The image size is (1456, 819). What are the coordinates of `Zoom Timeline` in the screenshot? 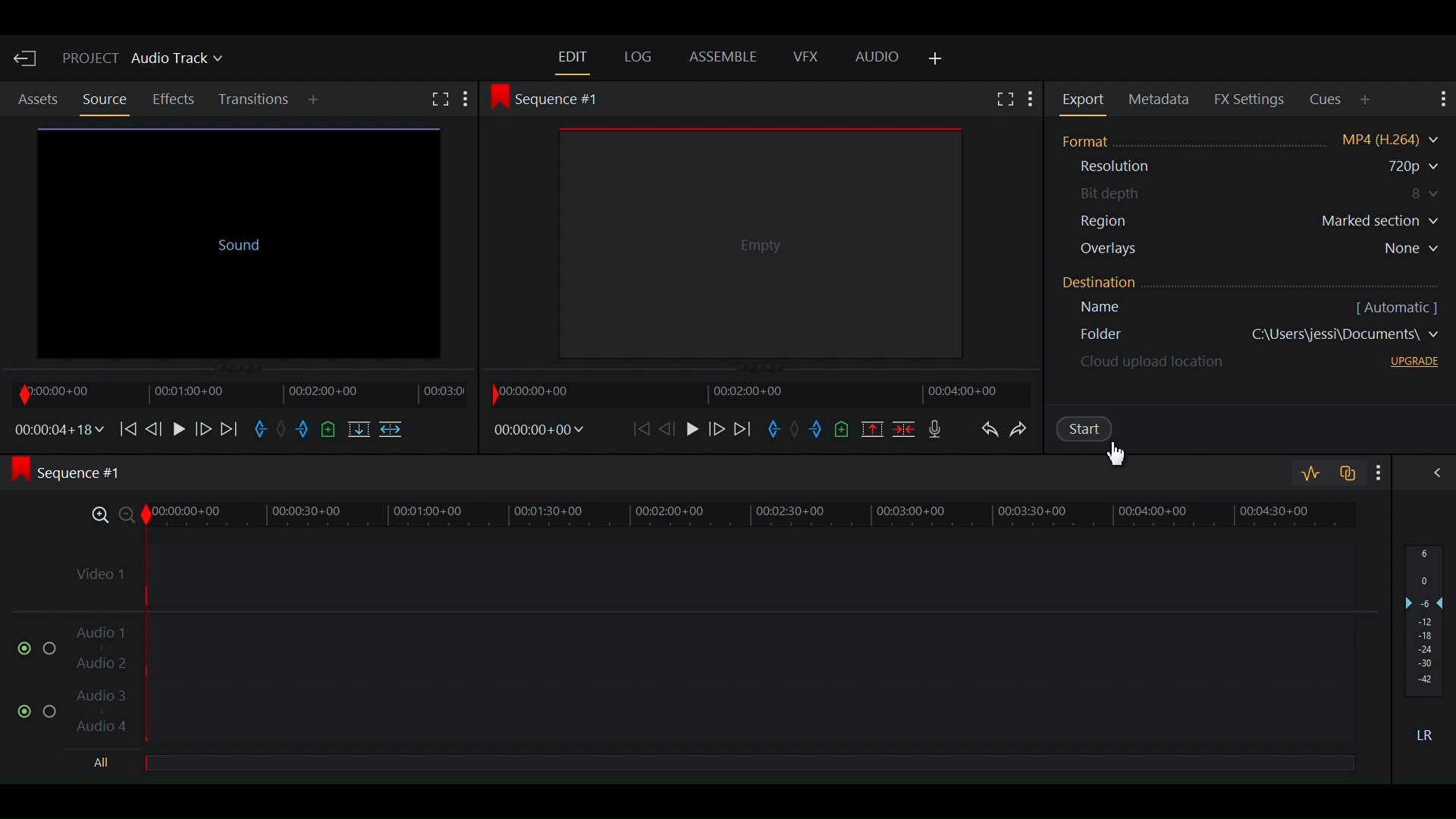 It's located at (713, 513).